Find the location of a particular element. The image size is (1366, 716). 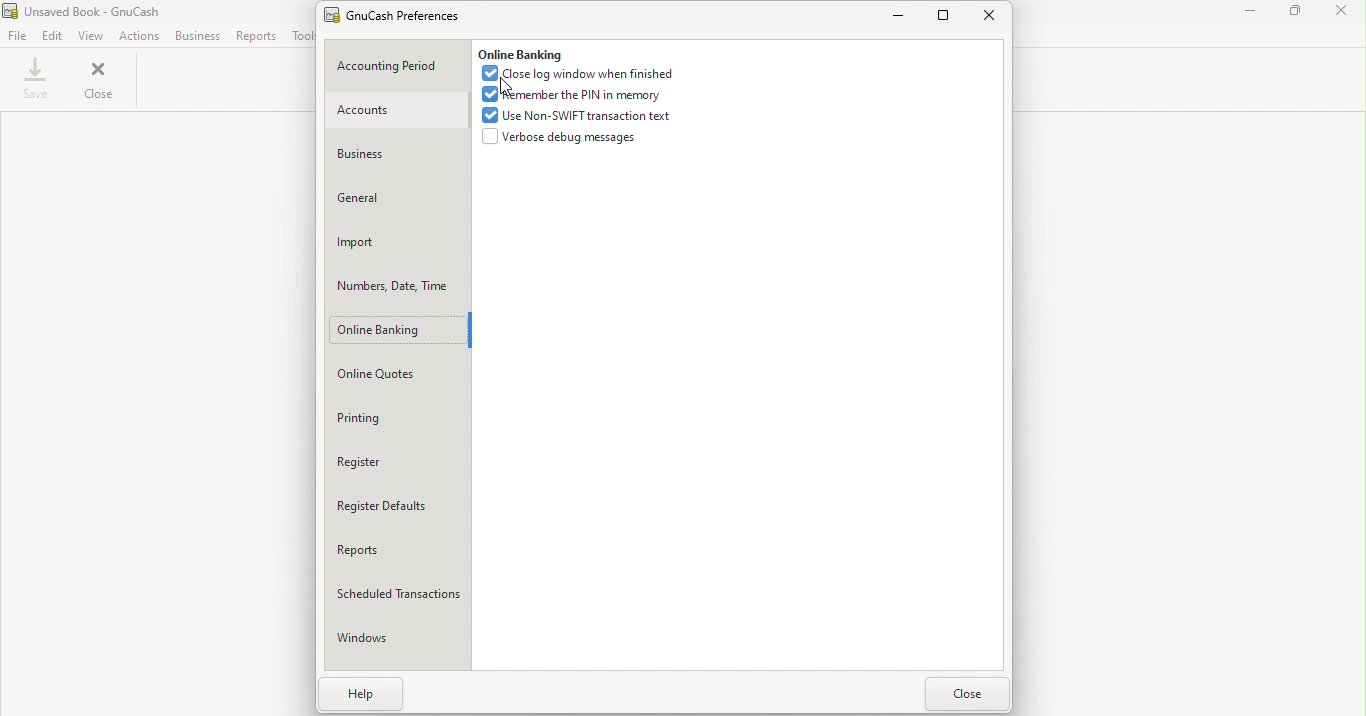

General is located at coordinates (396, 199).